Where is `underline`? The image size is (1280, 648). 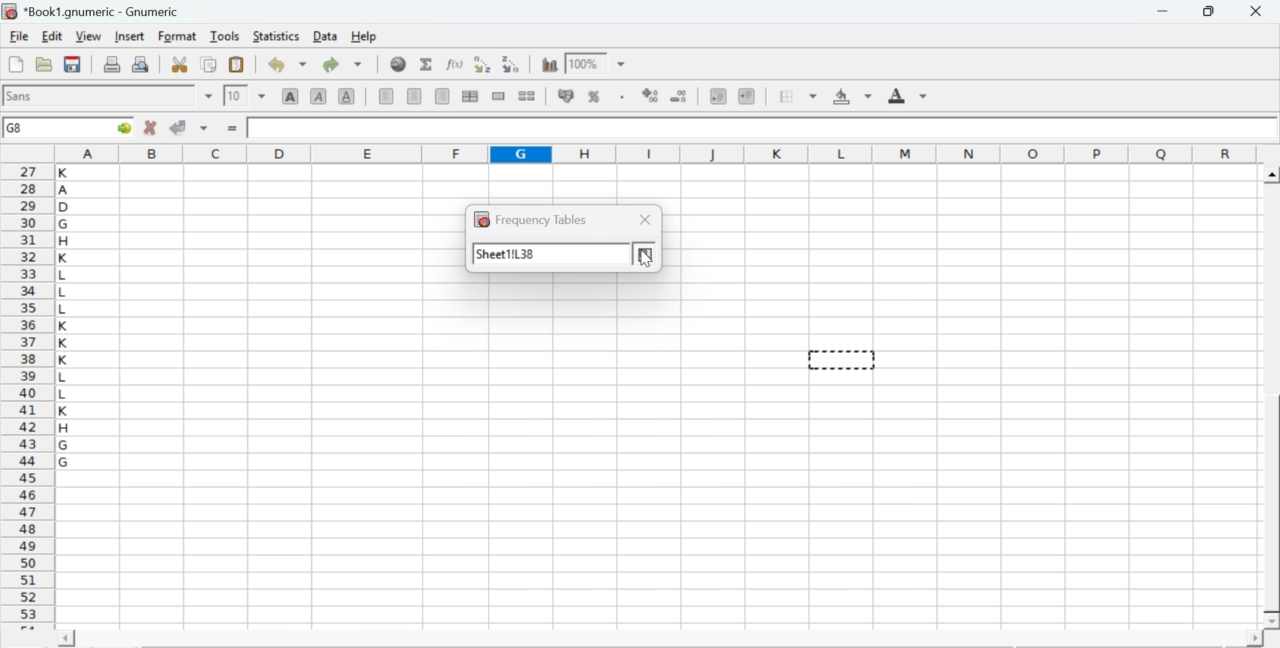 underline is located at coordinates (347, 95).